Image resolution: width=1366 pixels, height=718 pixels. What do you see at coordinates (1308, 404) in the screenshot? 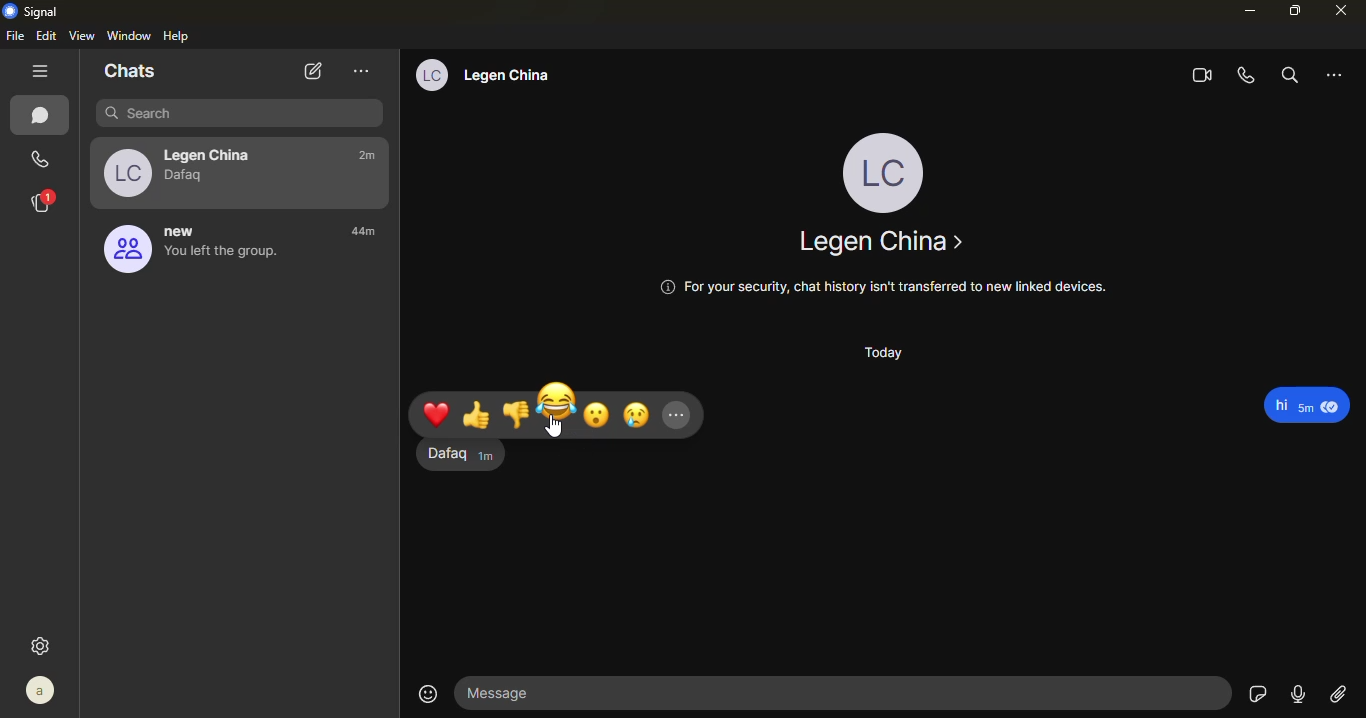
I see `message- Hi 5m` at bounding box center [1308, 404].